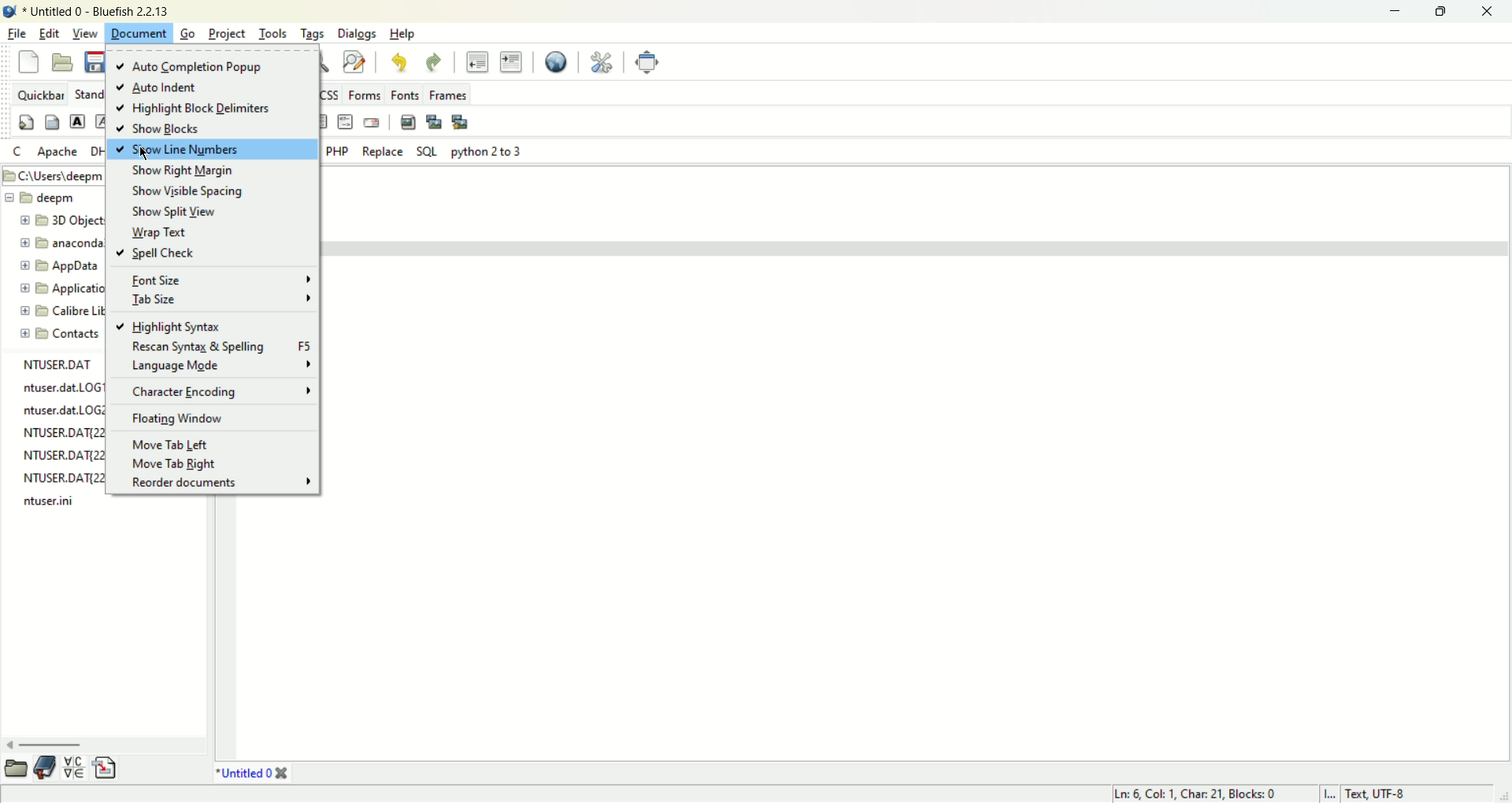 The image size is (1512, 803). I want to click on show right margin, so click(183, 171).